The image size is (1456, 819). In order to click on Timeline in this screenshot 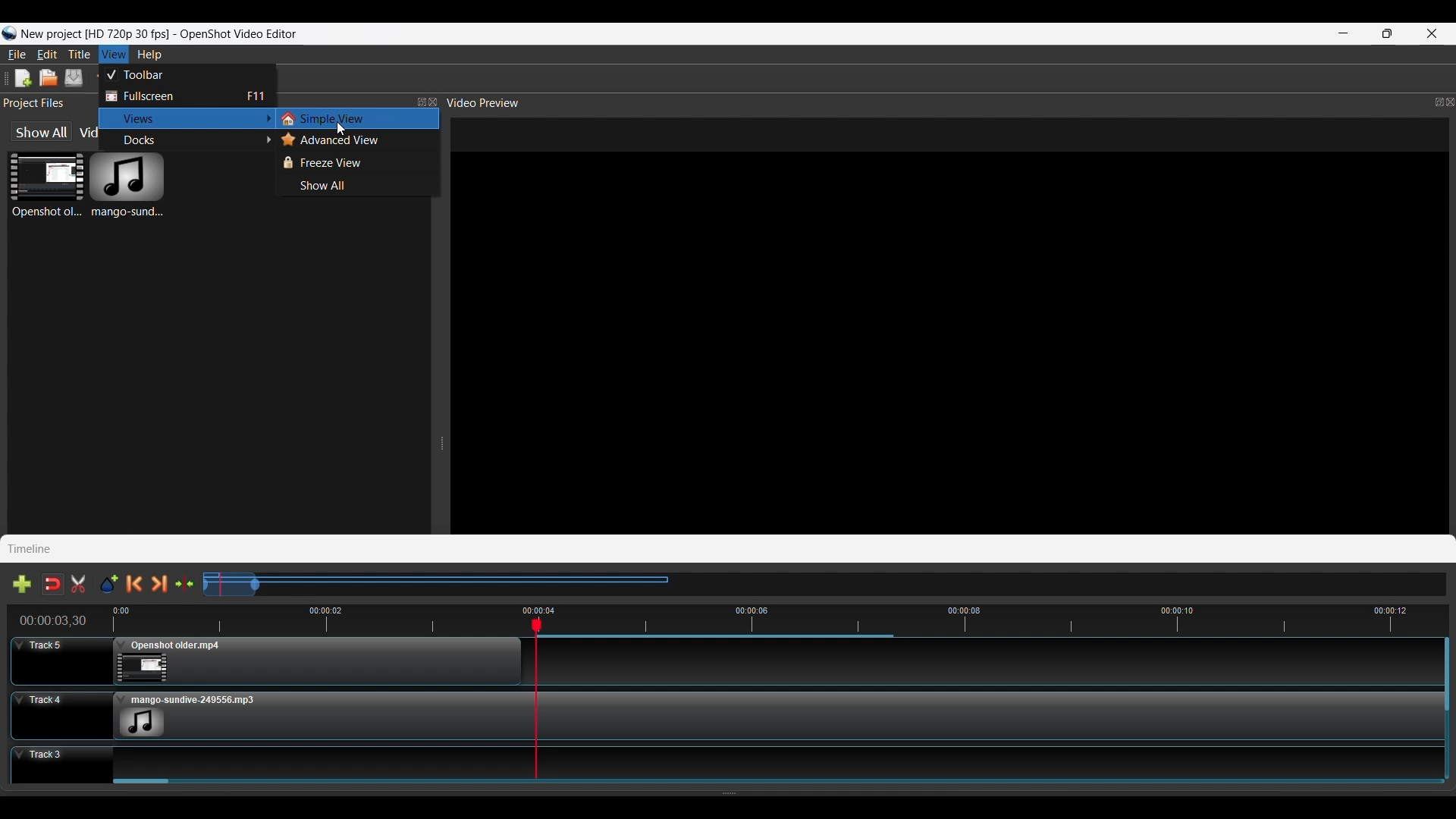, I will do `click(32, 548)`.